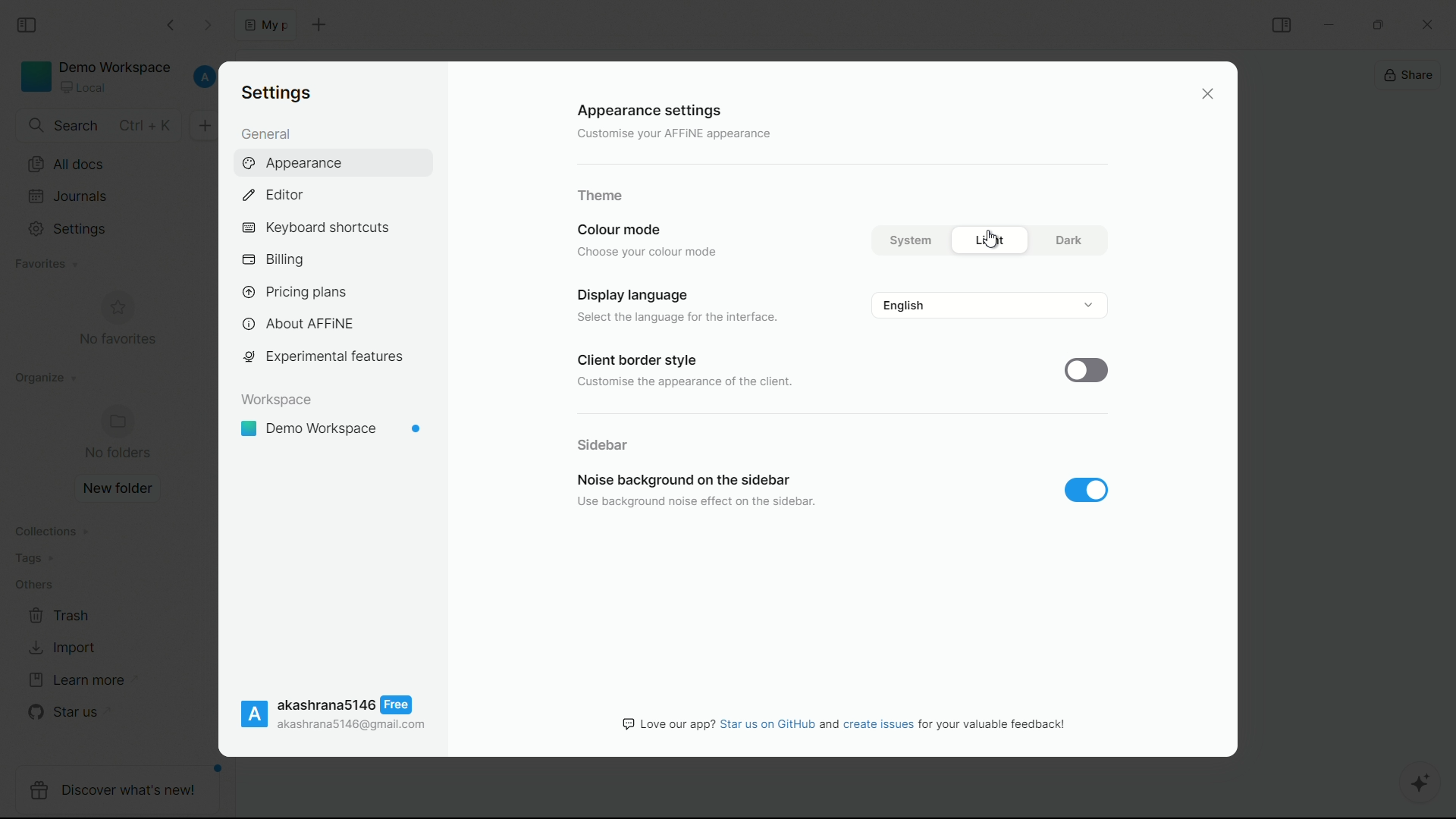 The width and height of the screenshot is (1456, 819). Describe the element at coordinates (96, 126) in the screenshot. I see `search bar` at that location.